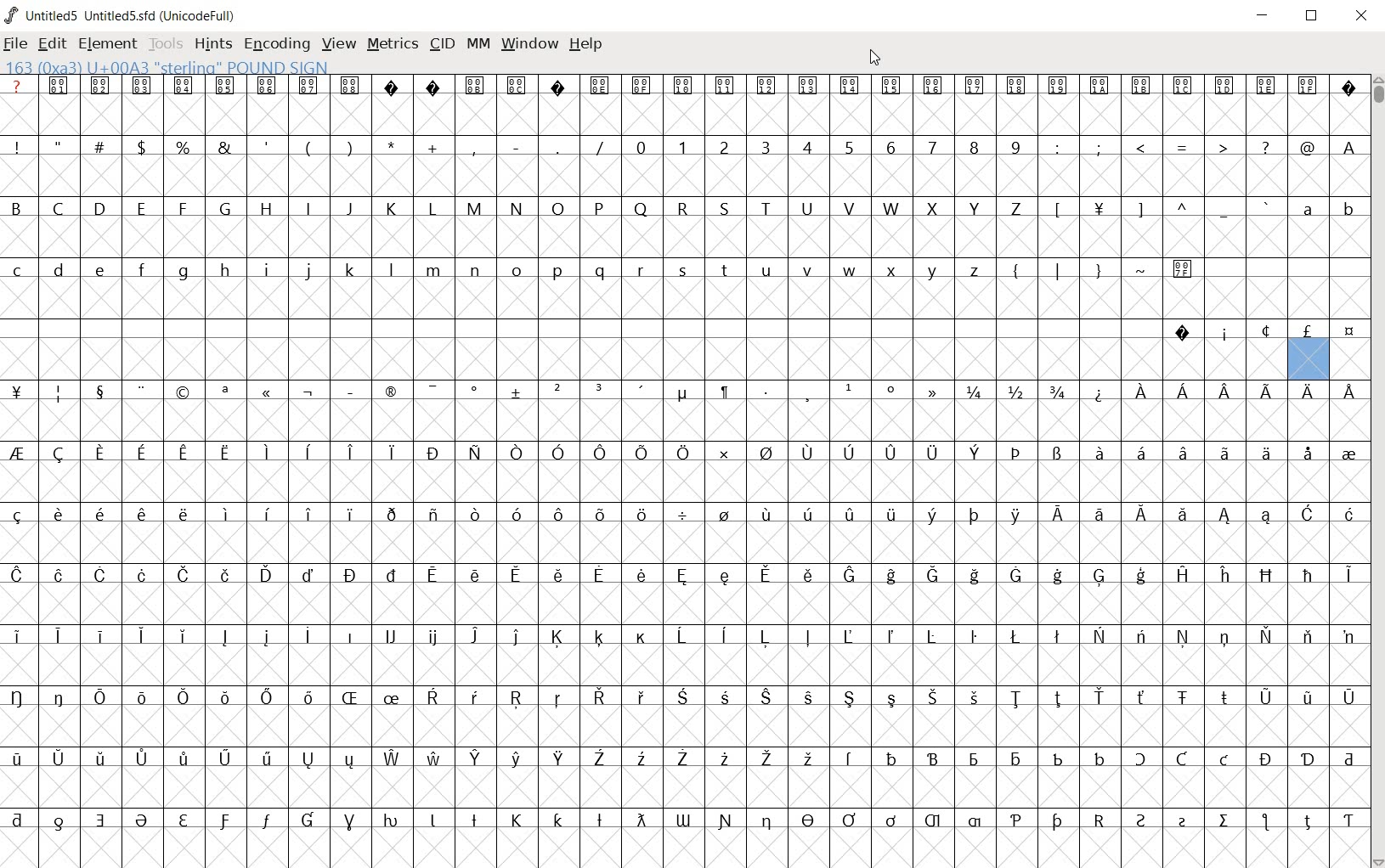 This screenshot has width=1385, height=868. I want to click on !, so click(21, 146).